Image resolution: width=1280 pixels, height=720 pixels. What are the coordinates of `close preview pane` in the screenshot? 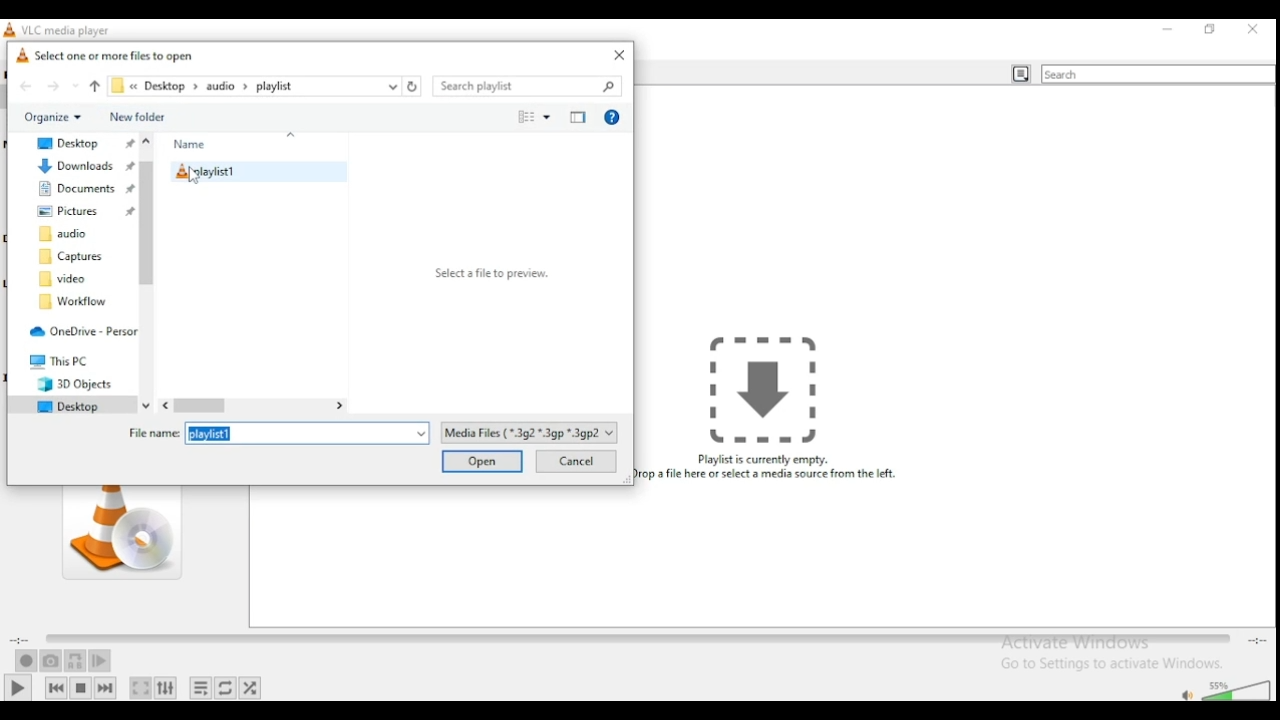 It's located at (578, 117).